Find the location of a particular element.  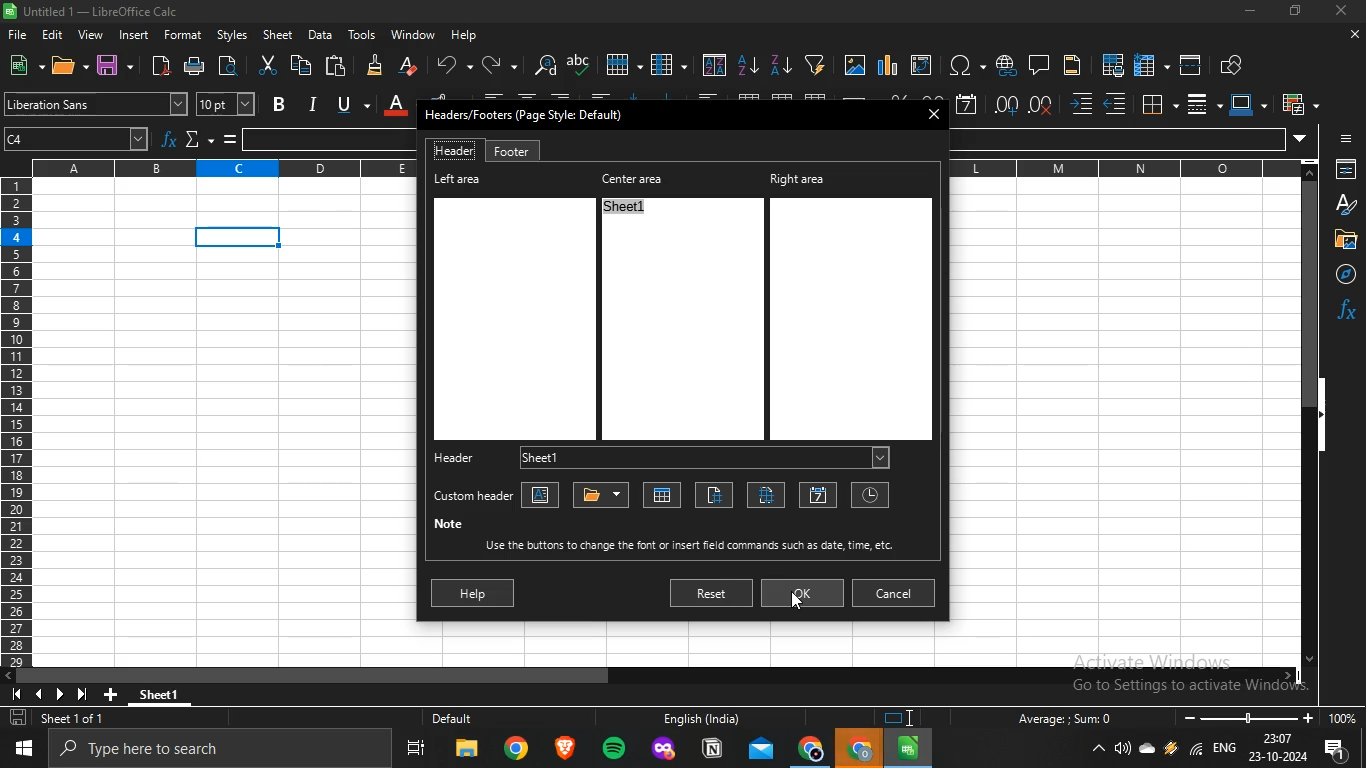

file explorer is located at coordinates (467, 752).